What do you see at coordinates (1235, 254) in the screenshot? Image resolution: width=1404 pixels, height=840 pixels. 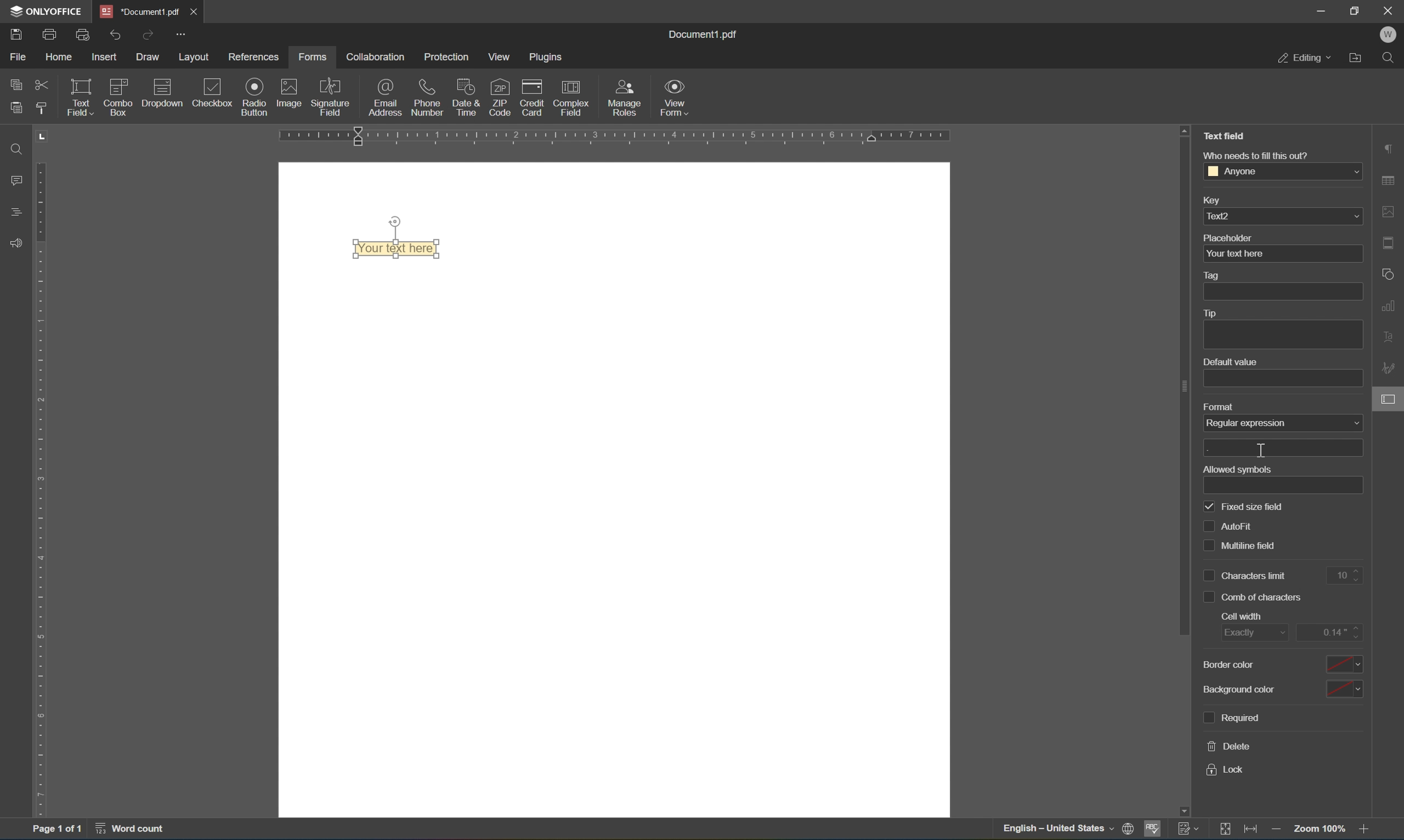 I see `your text here` at bounding box center [1235, 254].